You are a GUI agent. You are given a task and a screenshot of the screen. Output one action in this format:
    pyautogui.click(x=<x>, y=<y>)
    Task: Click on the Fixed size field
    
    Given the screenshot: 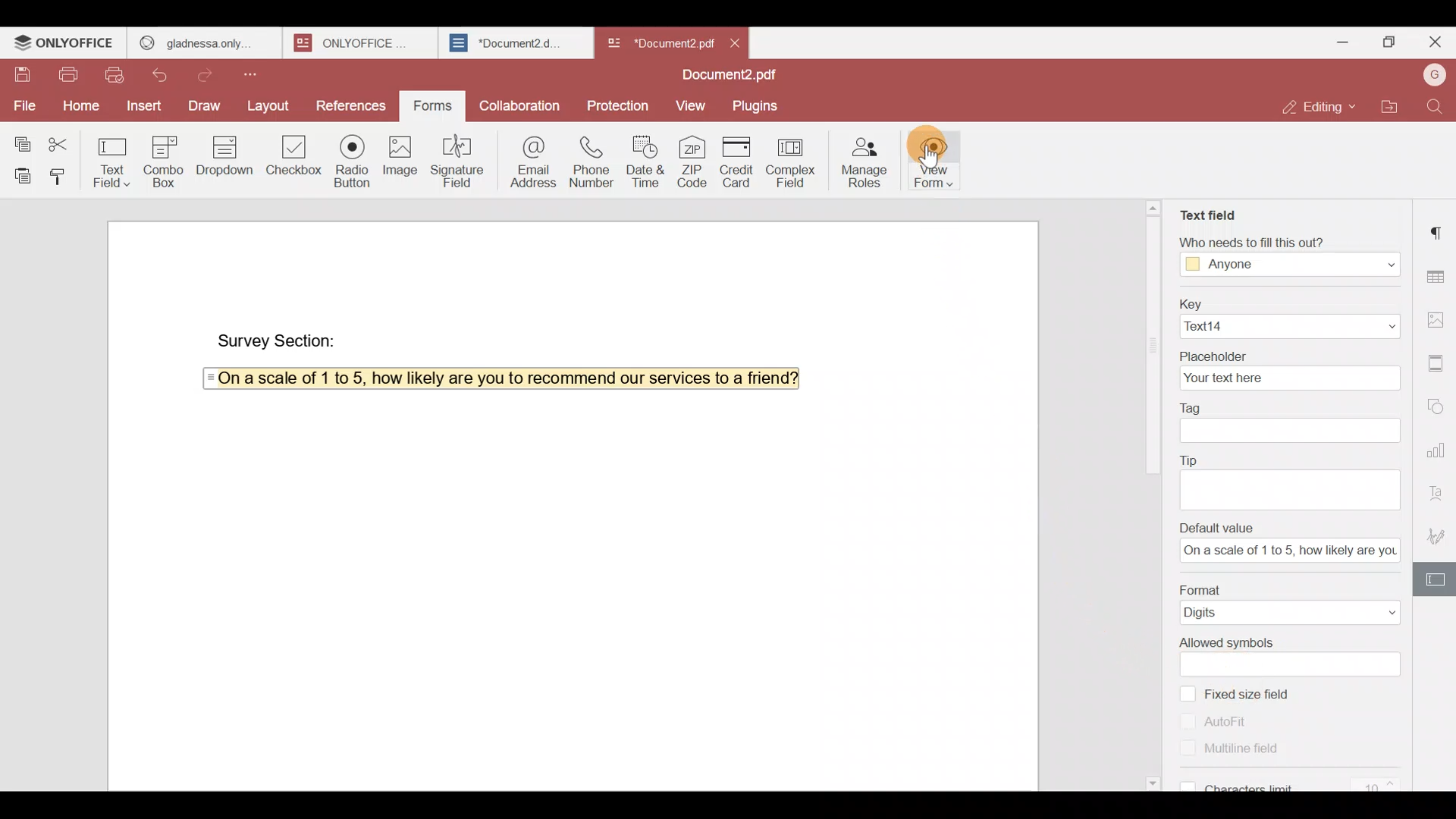 What is the action you would take?
    pyautogui.click(x=1255, y=692)
    